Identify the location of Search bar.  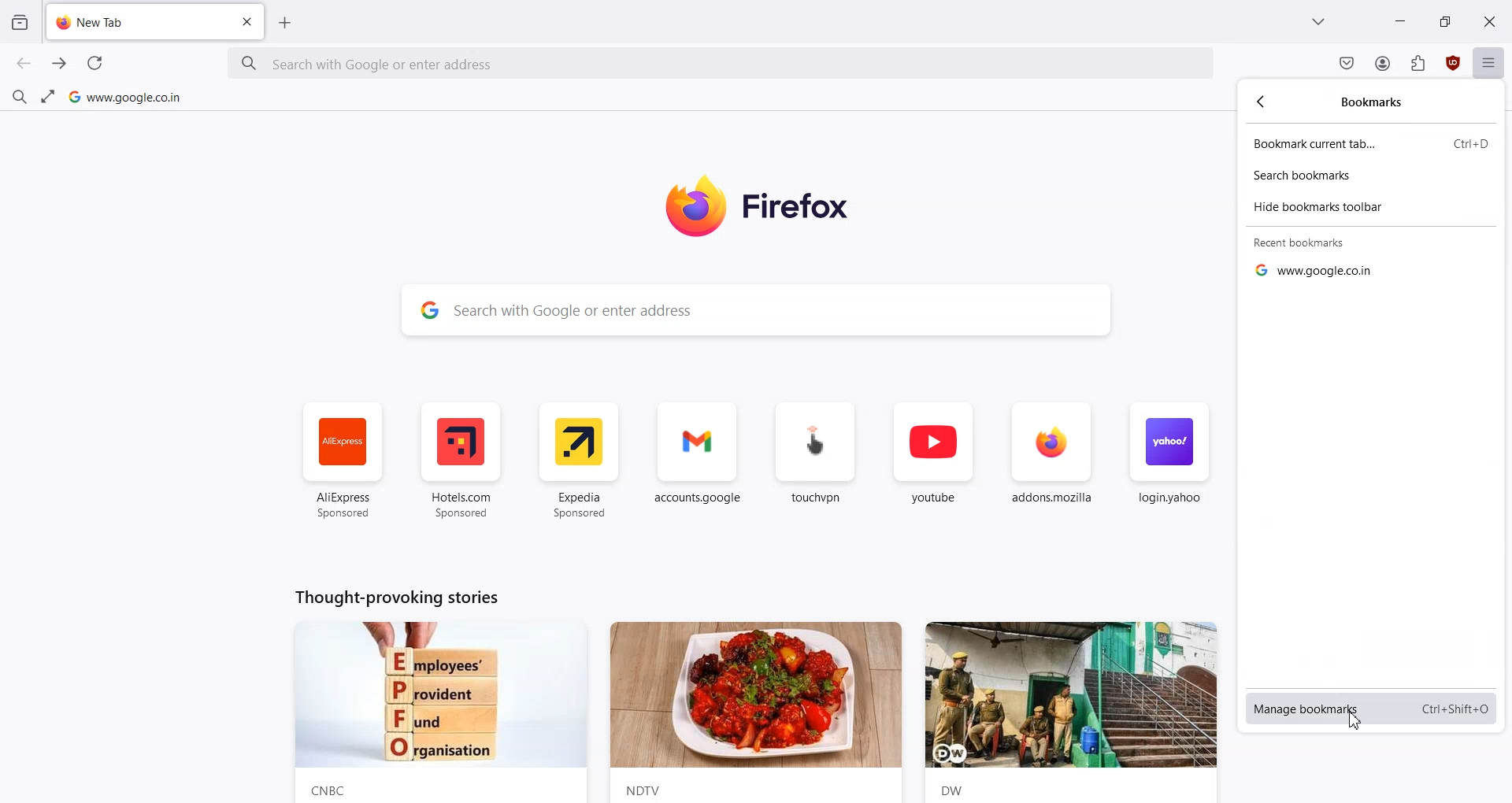
(721, 65).